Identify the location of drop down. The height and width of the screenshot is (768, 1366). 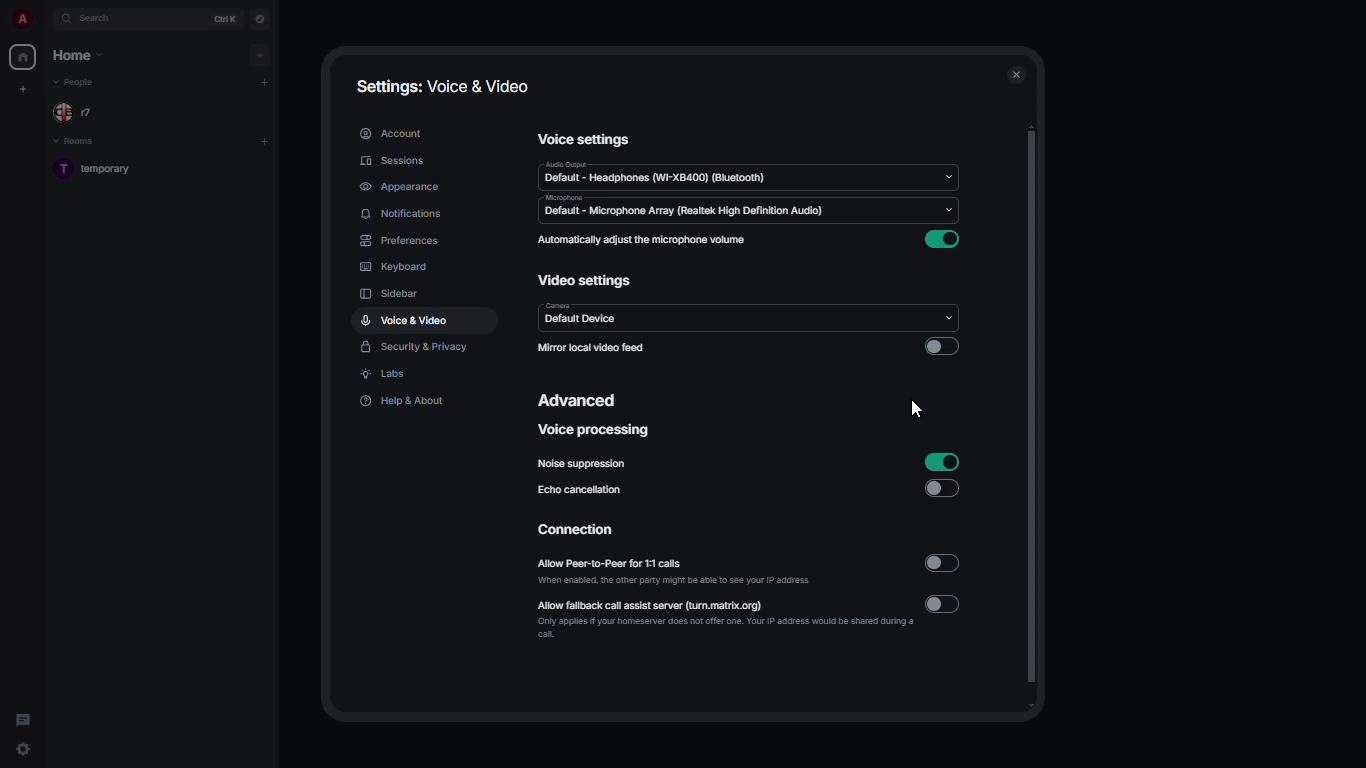
(949, 177).